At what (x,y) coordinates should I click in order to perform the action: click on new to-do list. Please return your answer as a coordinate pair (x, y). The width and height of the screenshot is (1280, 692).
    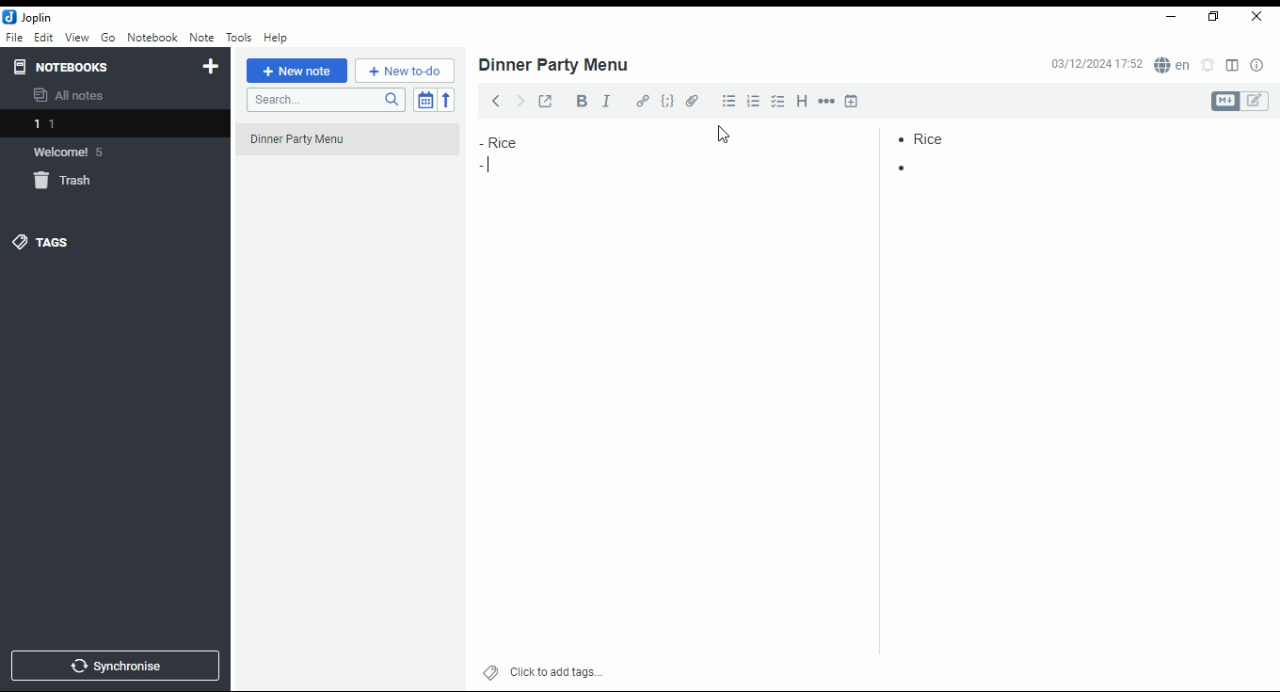
    Looking at the image, I should click on (405, 71).